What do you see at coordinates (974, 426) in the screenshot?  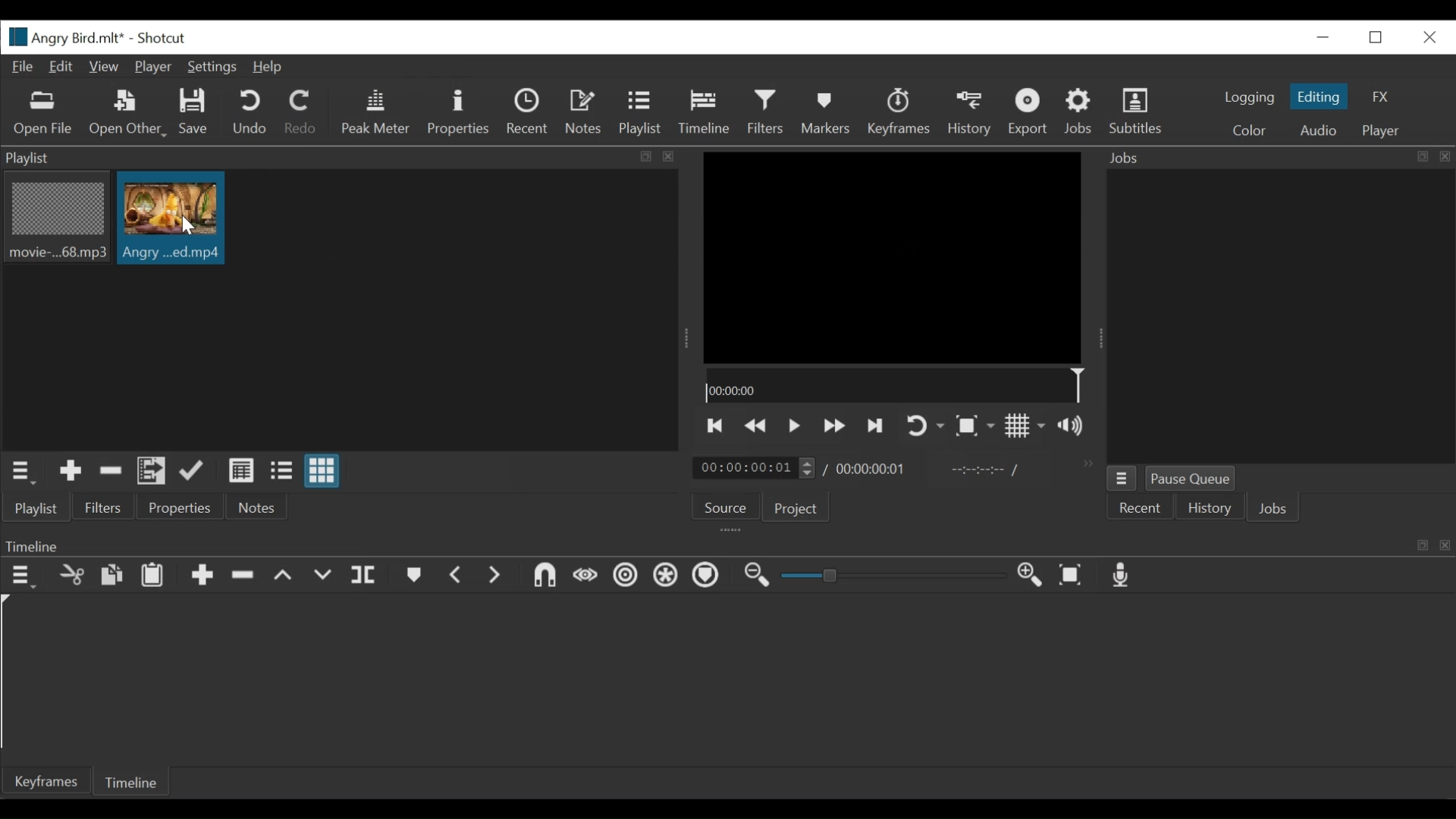 I see `Toggle Zoom` at bounding box center [974, 426].